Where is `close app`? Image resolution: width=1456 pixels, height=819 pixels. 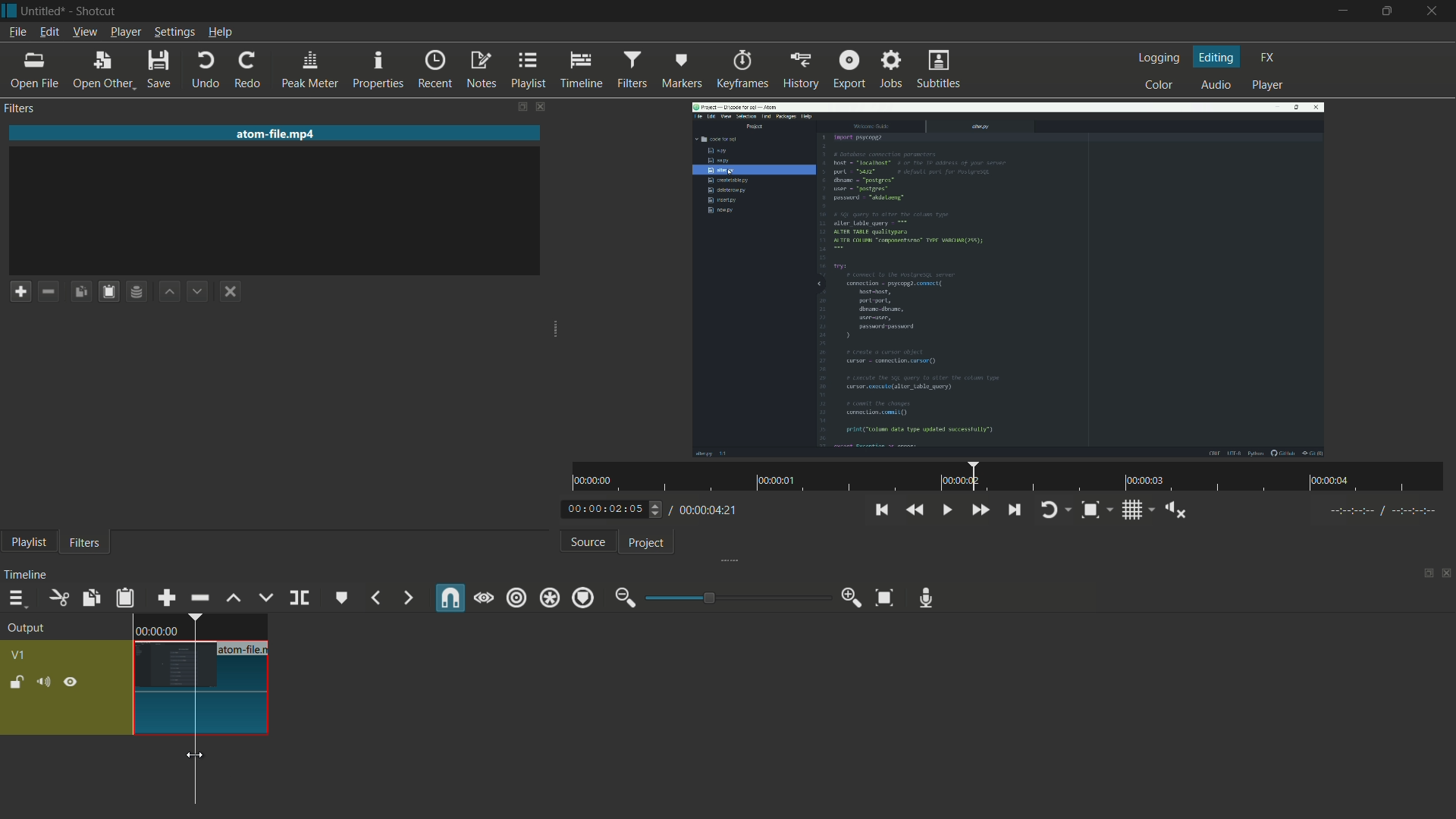 close app is located at coordinates (1435, 10).